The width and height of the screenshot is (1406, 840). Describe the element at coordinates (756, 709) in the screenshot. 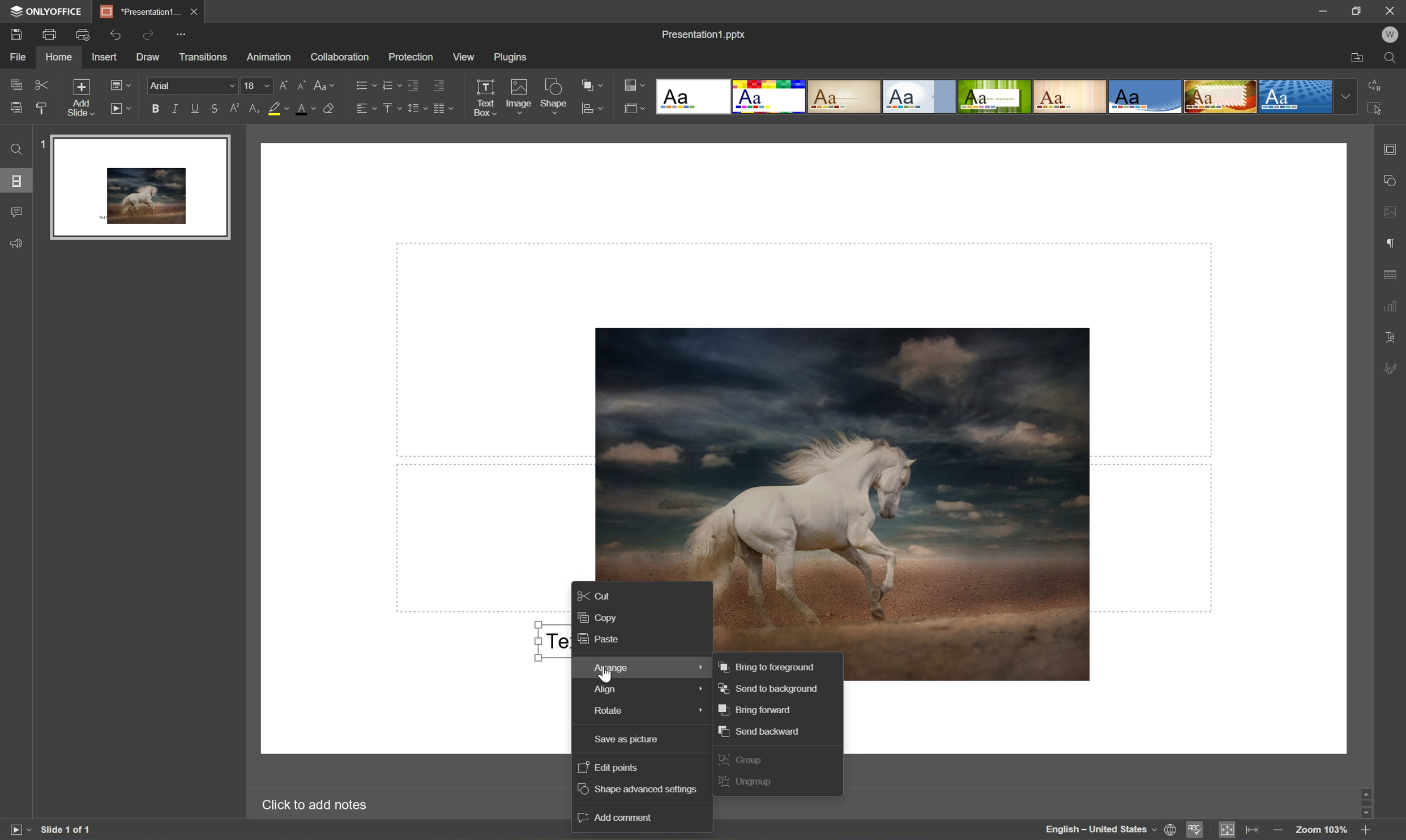

I see `Bring forward` at that location.